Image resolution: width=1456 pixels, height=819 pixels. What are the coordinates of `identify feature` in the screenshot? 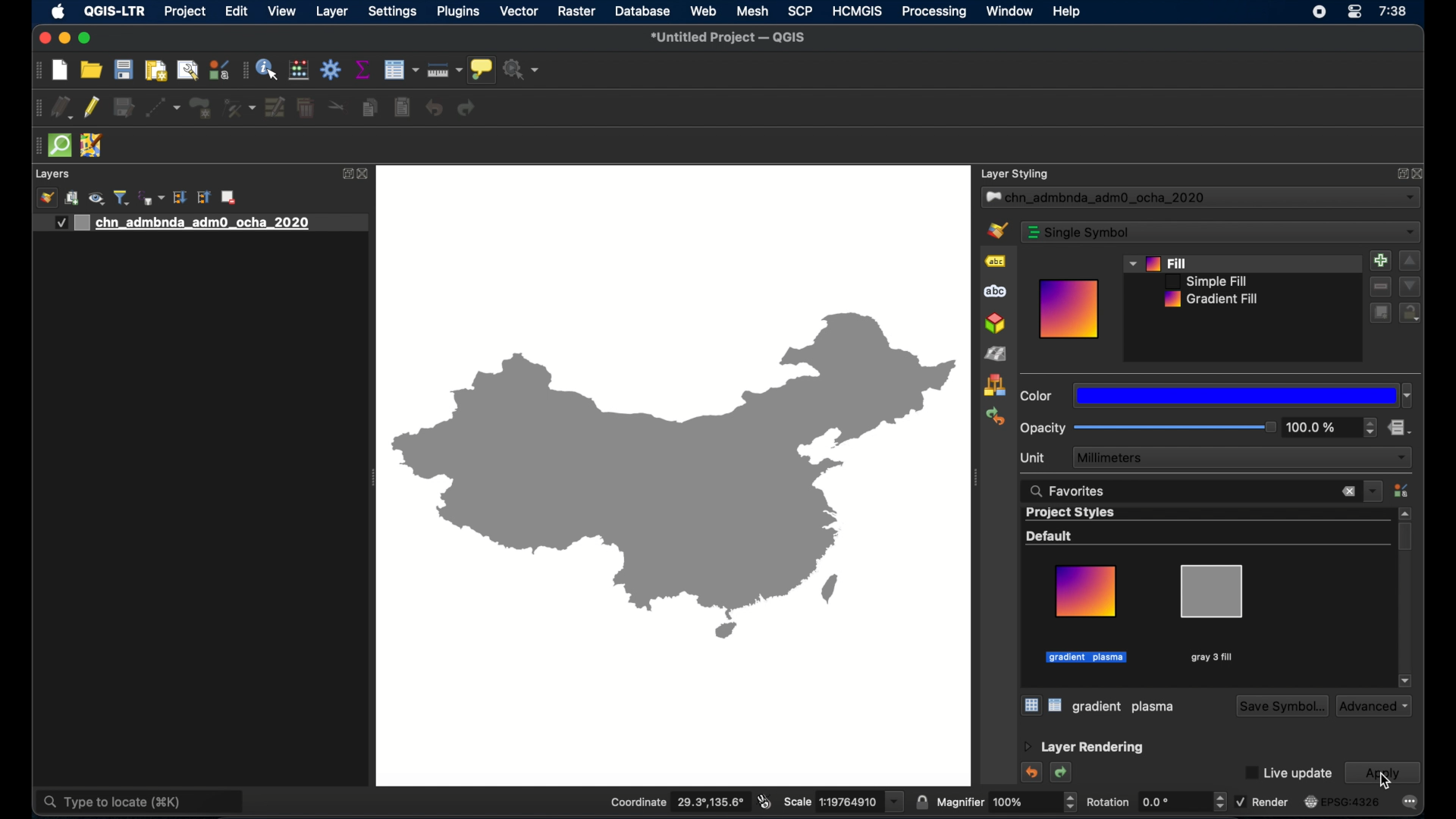 It's located at (268, 69).